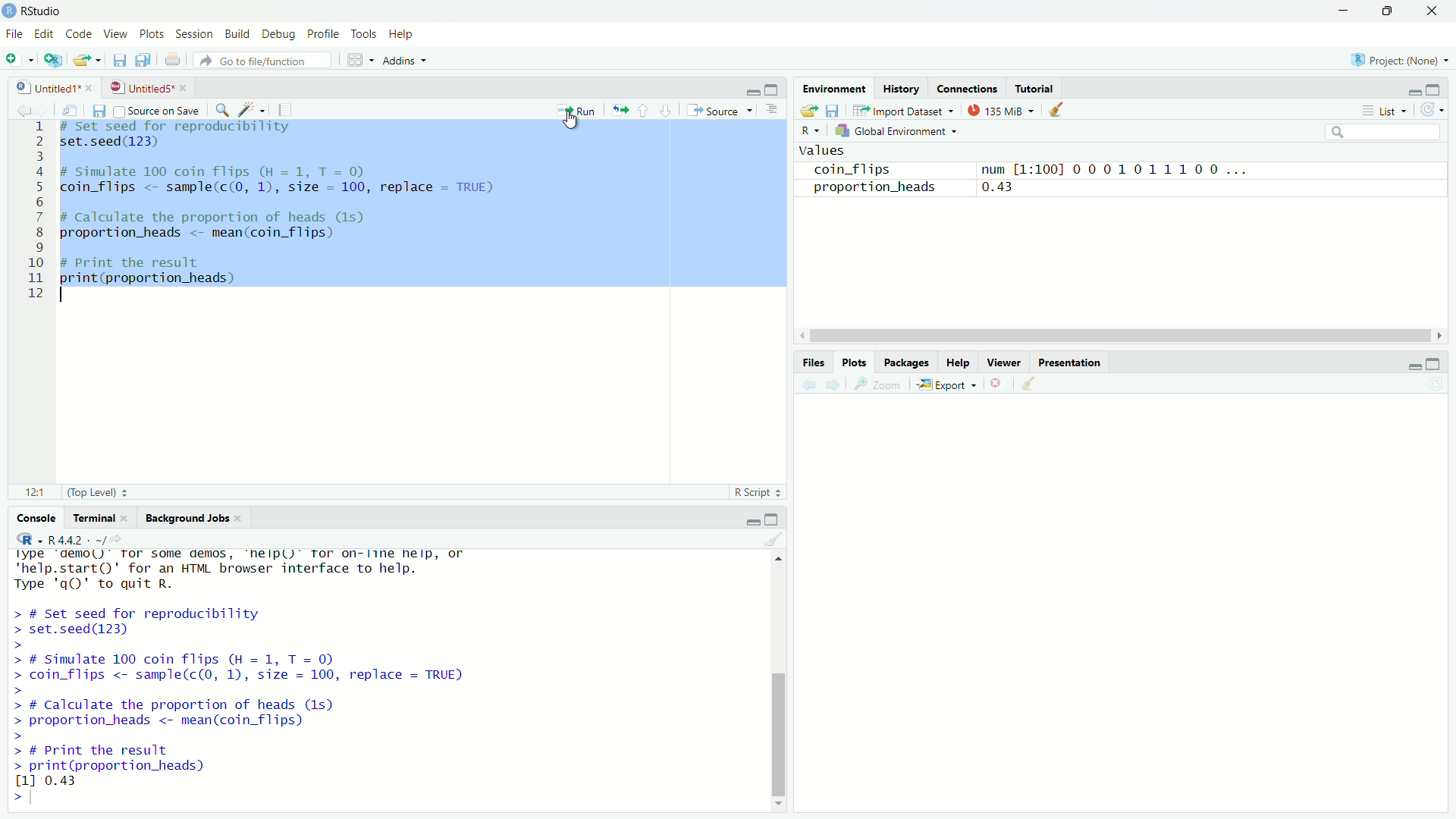 The height and width of the screenshot is (819, 1456). I want to click on Presentation, so click(1072, 362).